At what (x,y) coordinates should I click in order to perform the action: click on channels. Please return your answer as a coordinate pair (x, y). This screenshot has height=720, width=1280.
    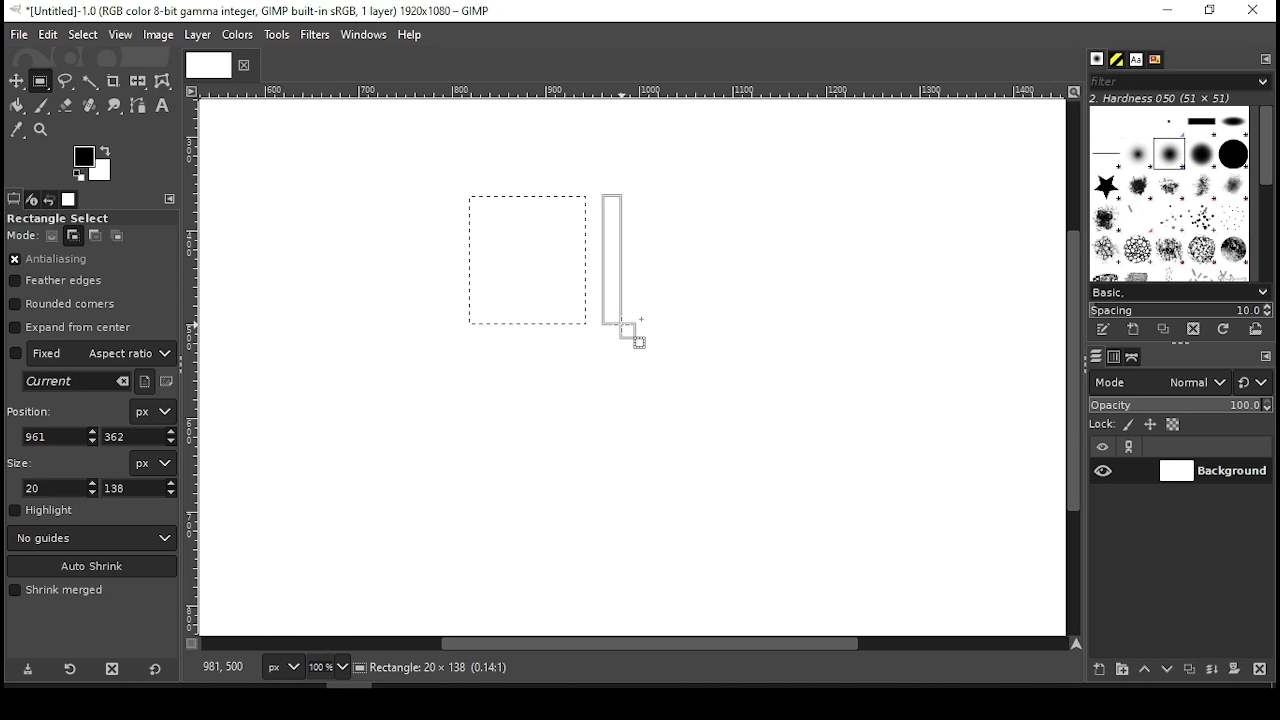
    Looking at the image, I should click on (1113, 357).